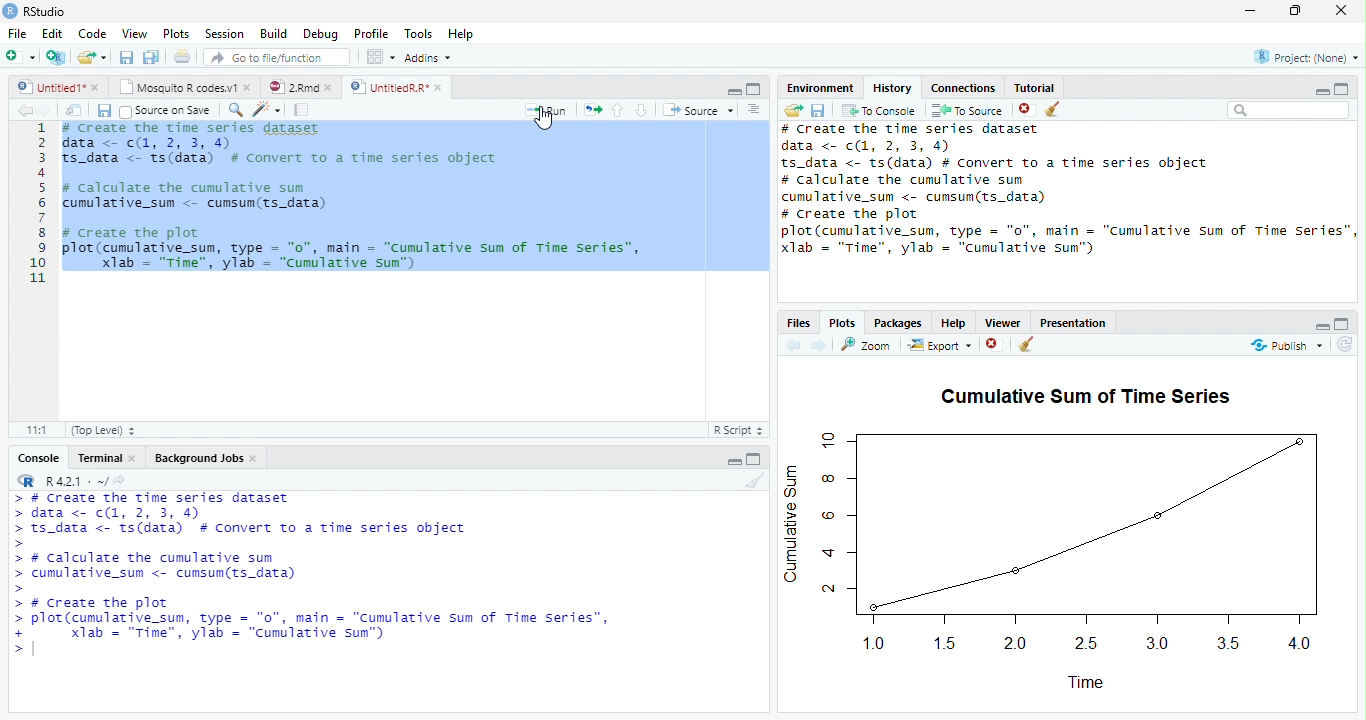 This screenshot has width=1366, height=720. I want to click on Time, so click(1106, 685).